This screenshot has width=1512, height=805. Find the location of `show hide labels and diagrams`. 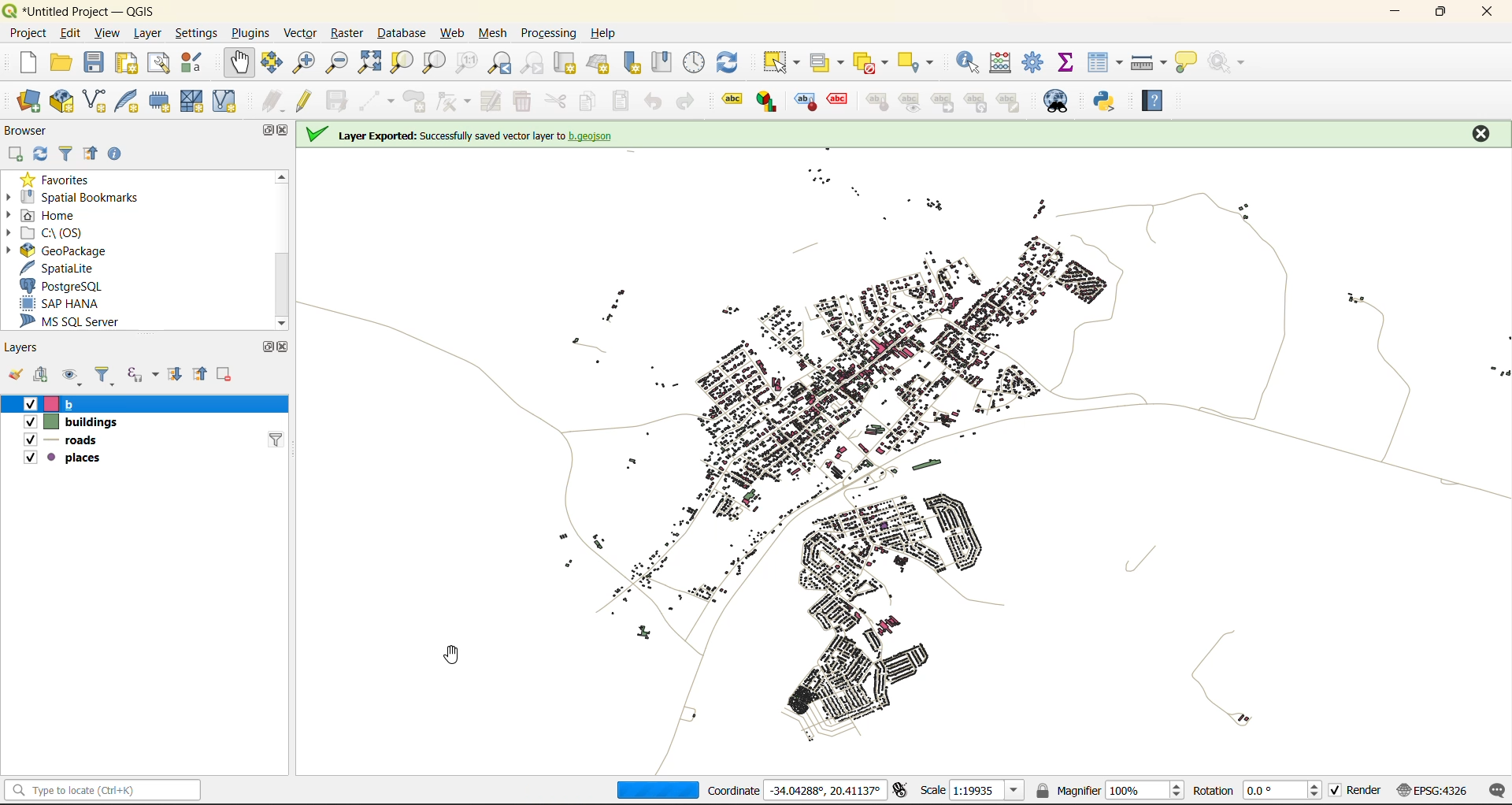

show hide labels and diagrams is located at coordinates (906, 102).